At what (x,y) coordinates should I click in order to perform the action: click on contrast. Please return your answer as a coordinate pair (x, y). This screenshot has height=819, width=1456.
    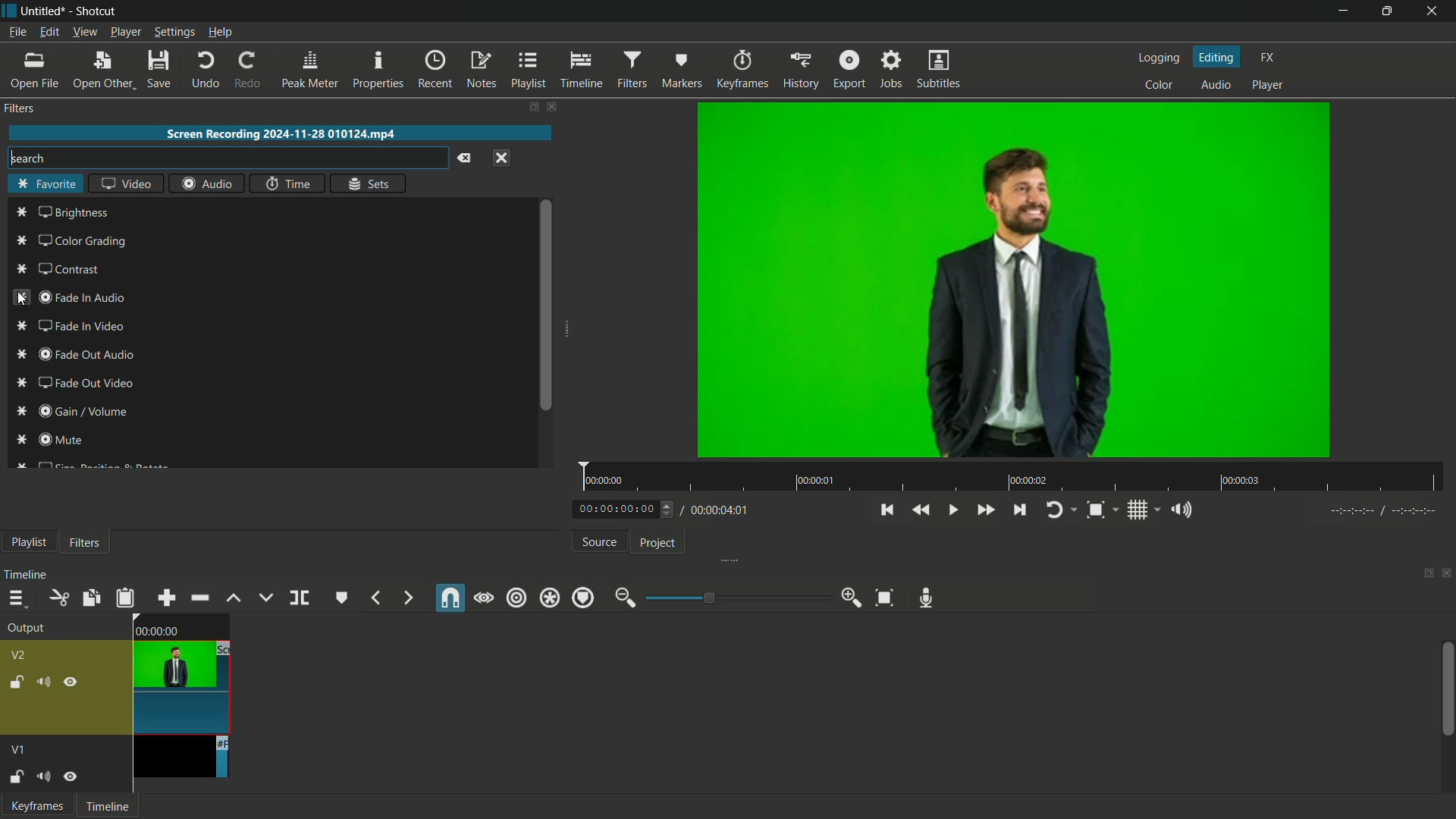
    Looking at the image, I should click on (61, 269).